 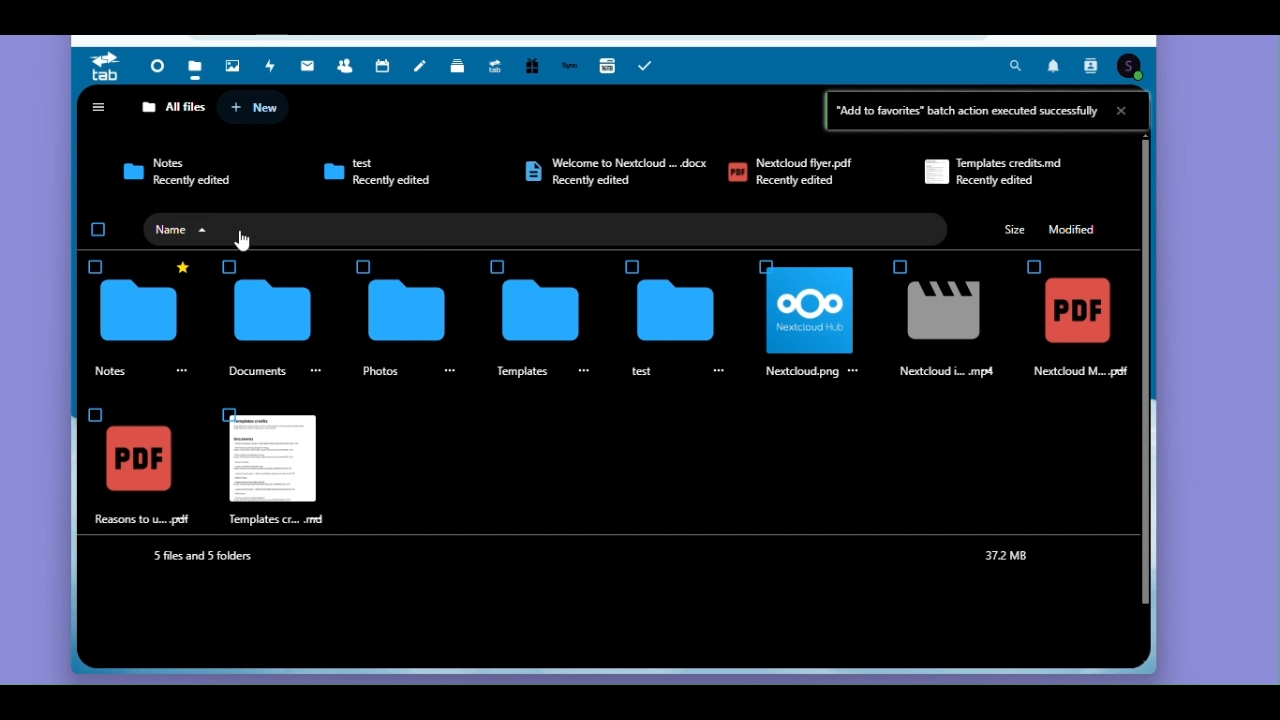 What do you see at coordinates (1017, 230) in the screenshot?
I see `Size` at bounding box center [1017, 230].